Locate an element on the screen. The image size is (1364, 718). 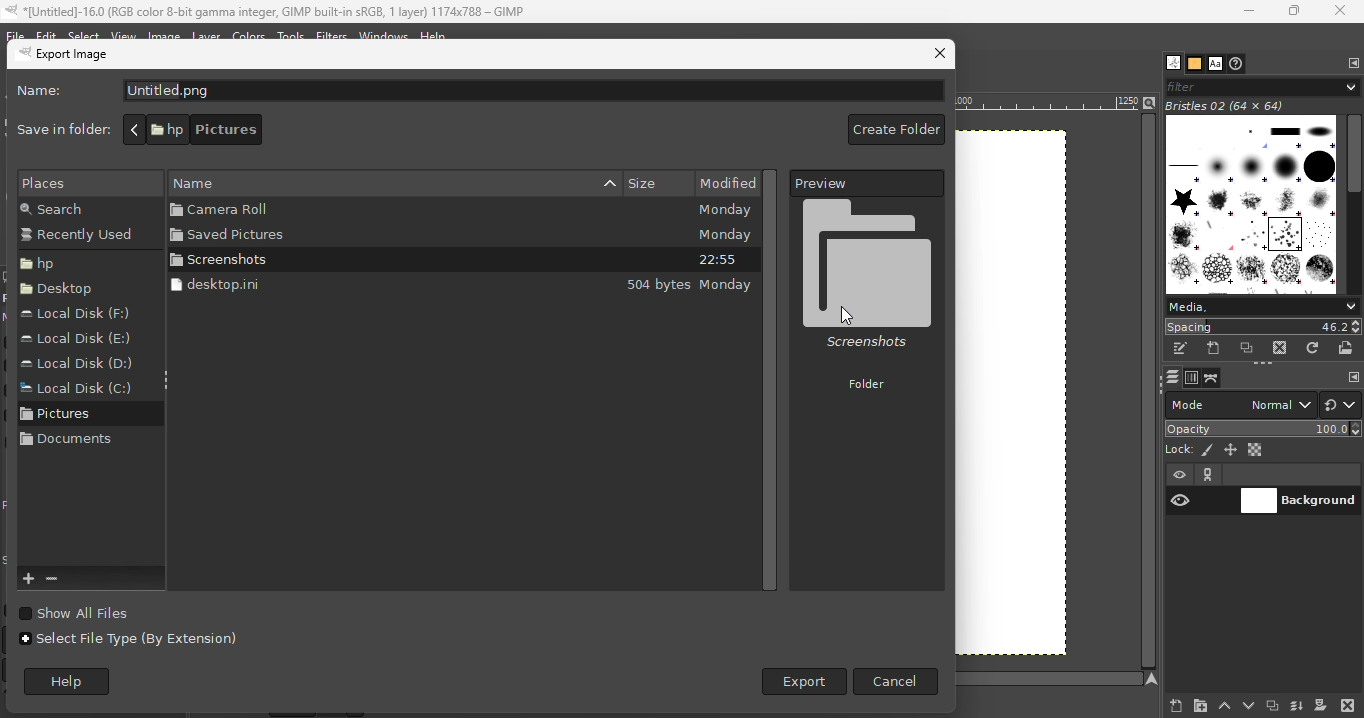
Select file type (by ectension) is located at coordinates (131, 646).